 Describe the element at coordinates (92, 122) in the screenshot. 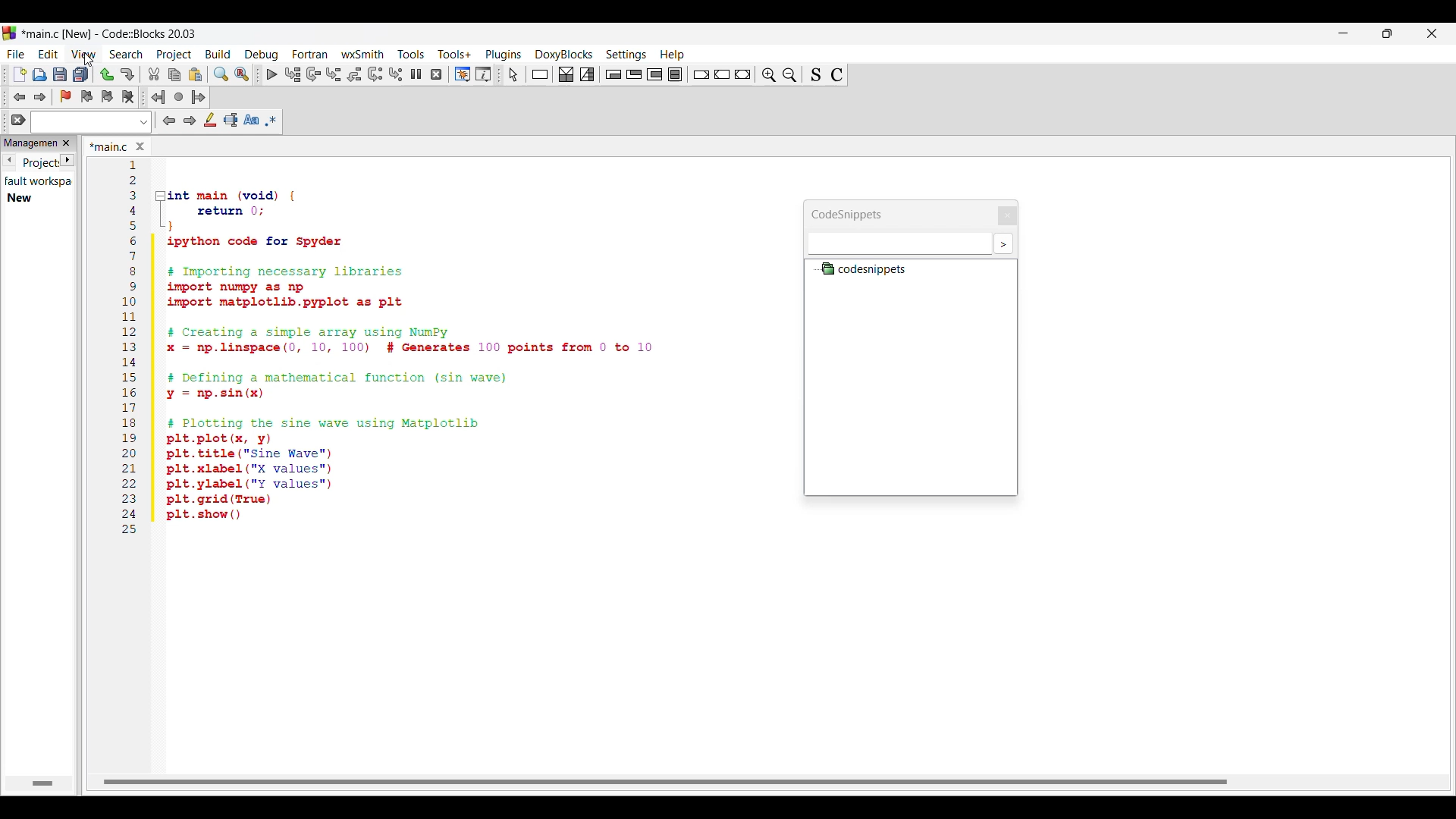

I see `Text box and text options` at that location.